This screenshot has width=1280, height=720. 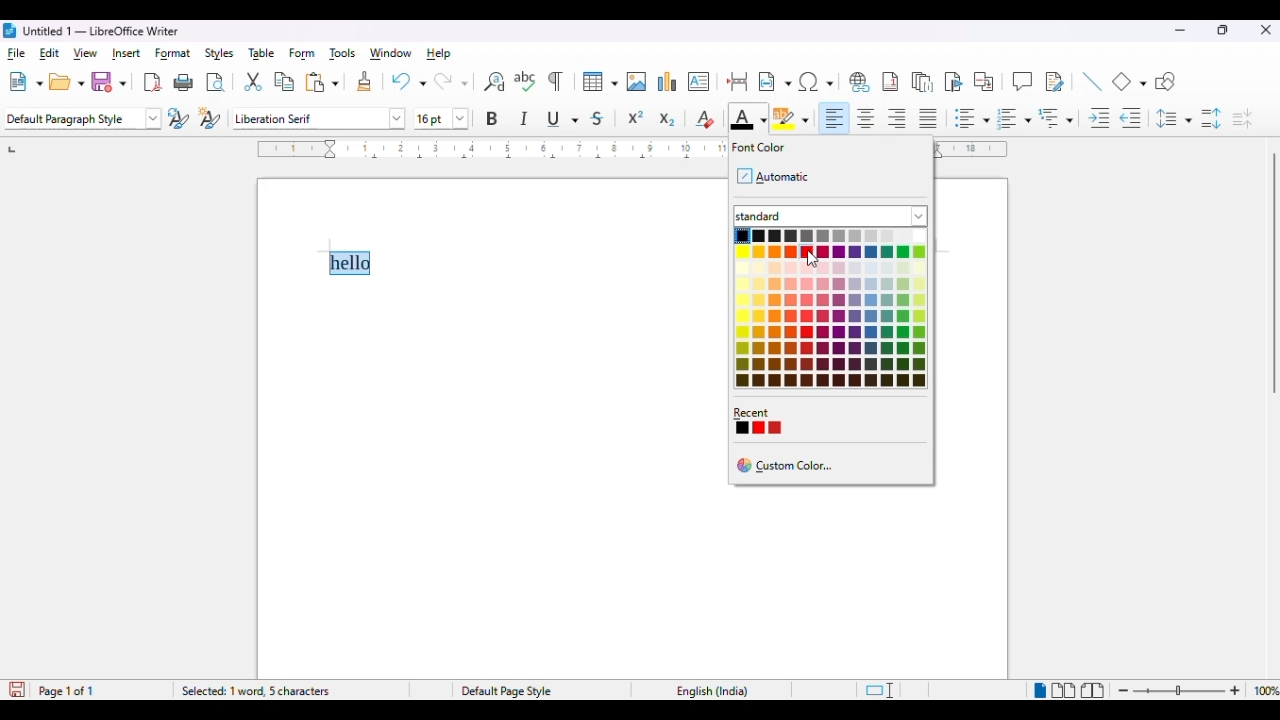 What do you see at coordinates (438, 53) in the screenshot?
I see `help` at bounding box center [438, 53].